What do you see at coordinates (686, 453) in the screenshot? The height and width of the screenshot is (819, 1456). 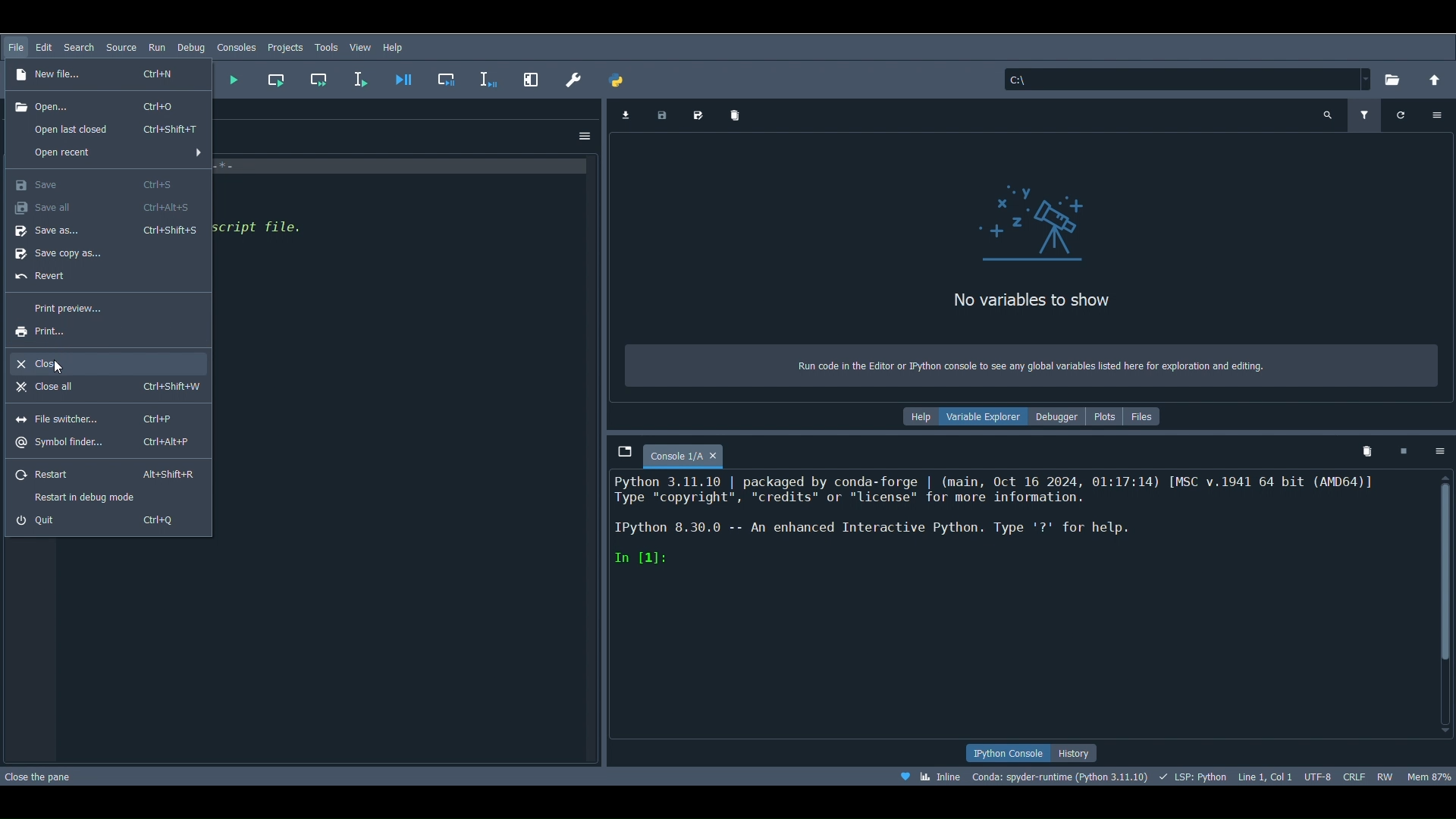 I see `Console 1/A` at bounding box center [686, 453].